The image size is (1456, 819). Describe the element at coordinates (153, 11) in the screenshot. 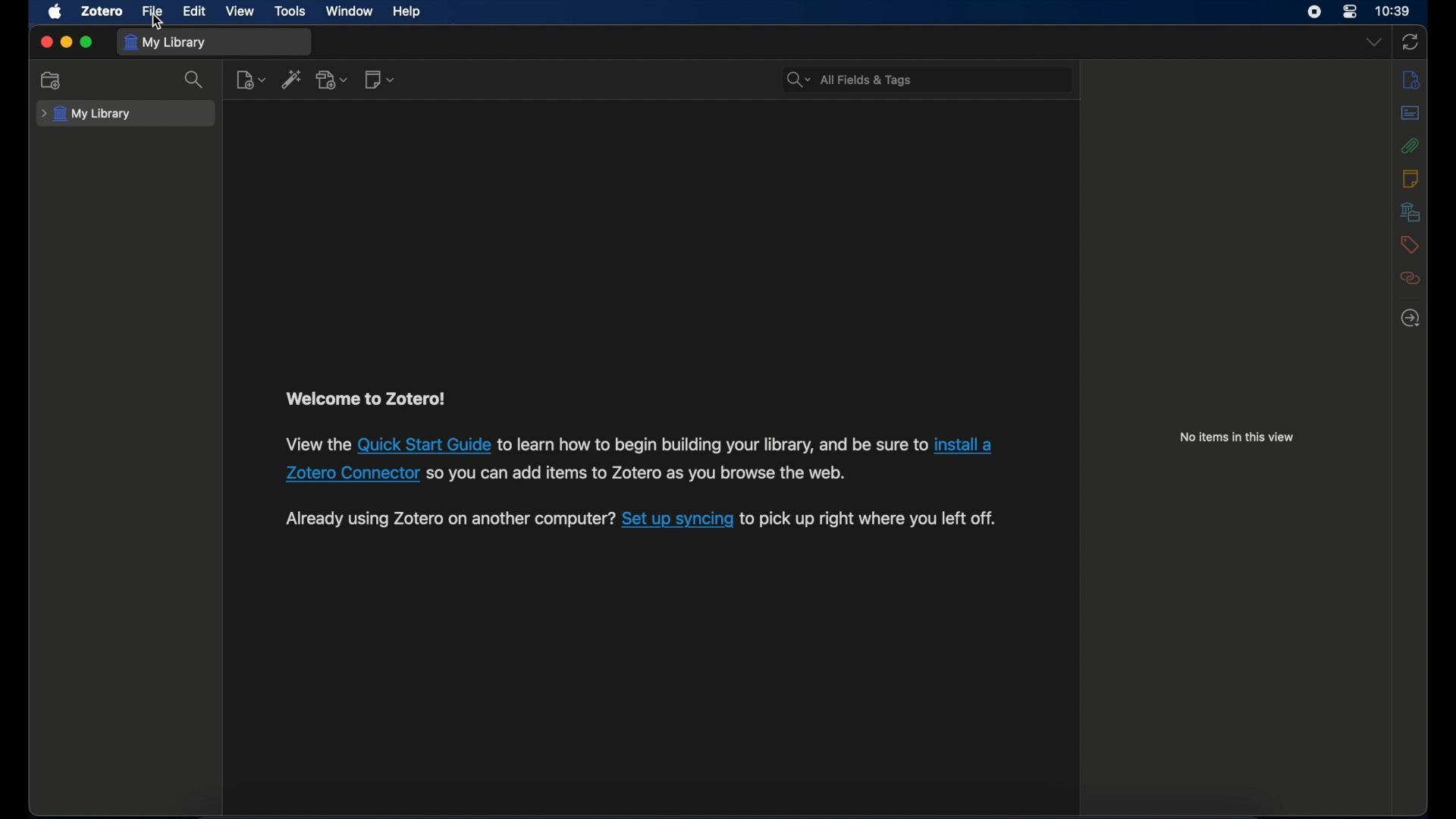

I see `file` at that location.